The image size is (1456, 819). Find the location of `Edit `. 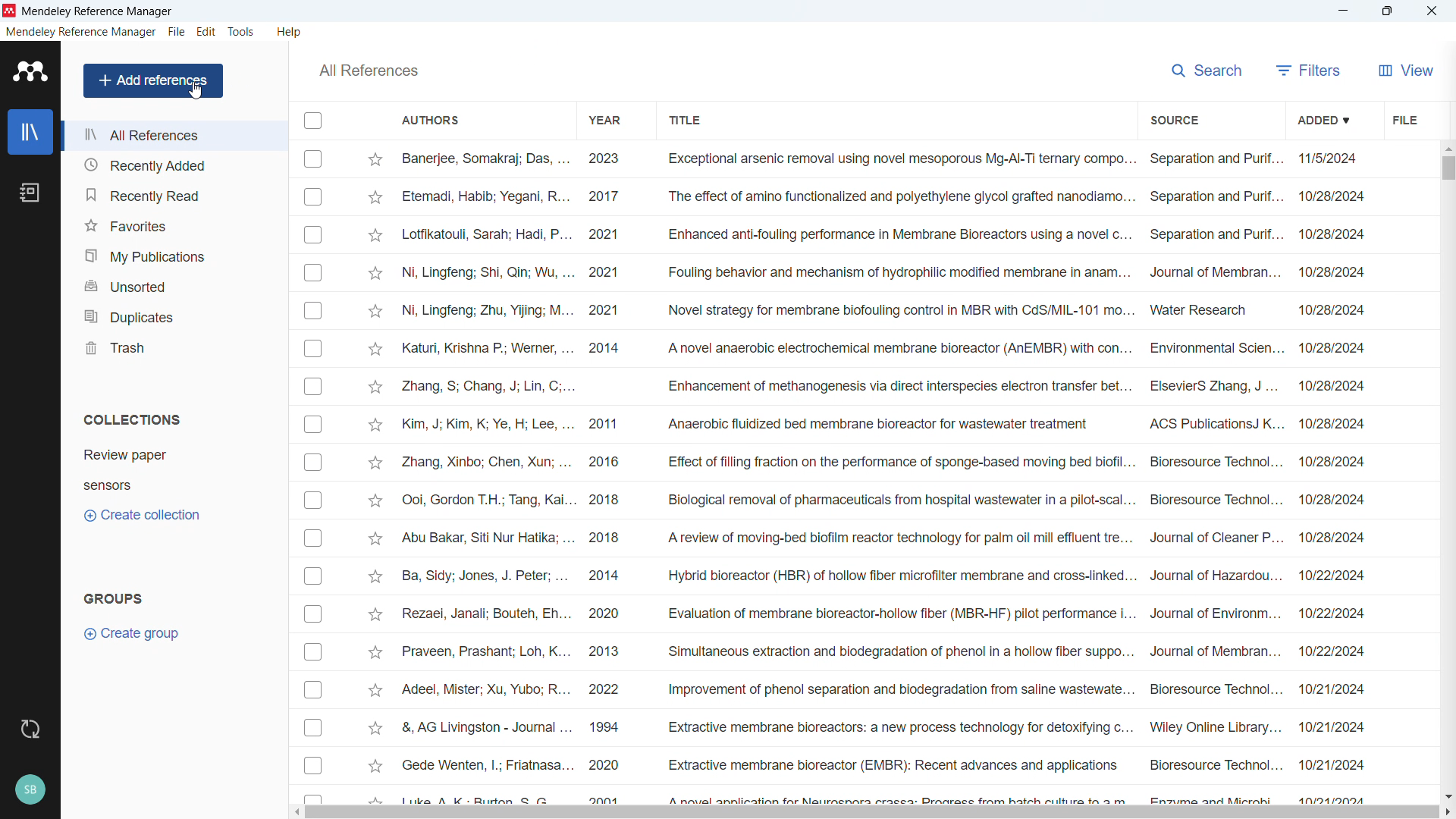

Edit  is located at coordinates (207, 32).